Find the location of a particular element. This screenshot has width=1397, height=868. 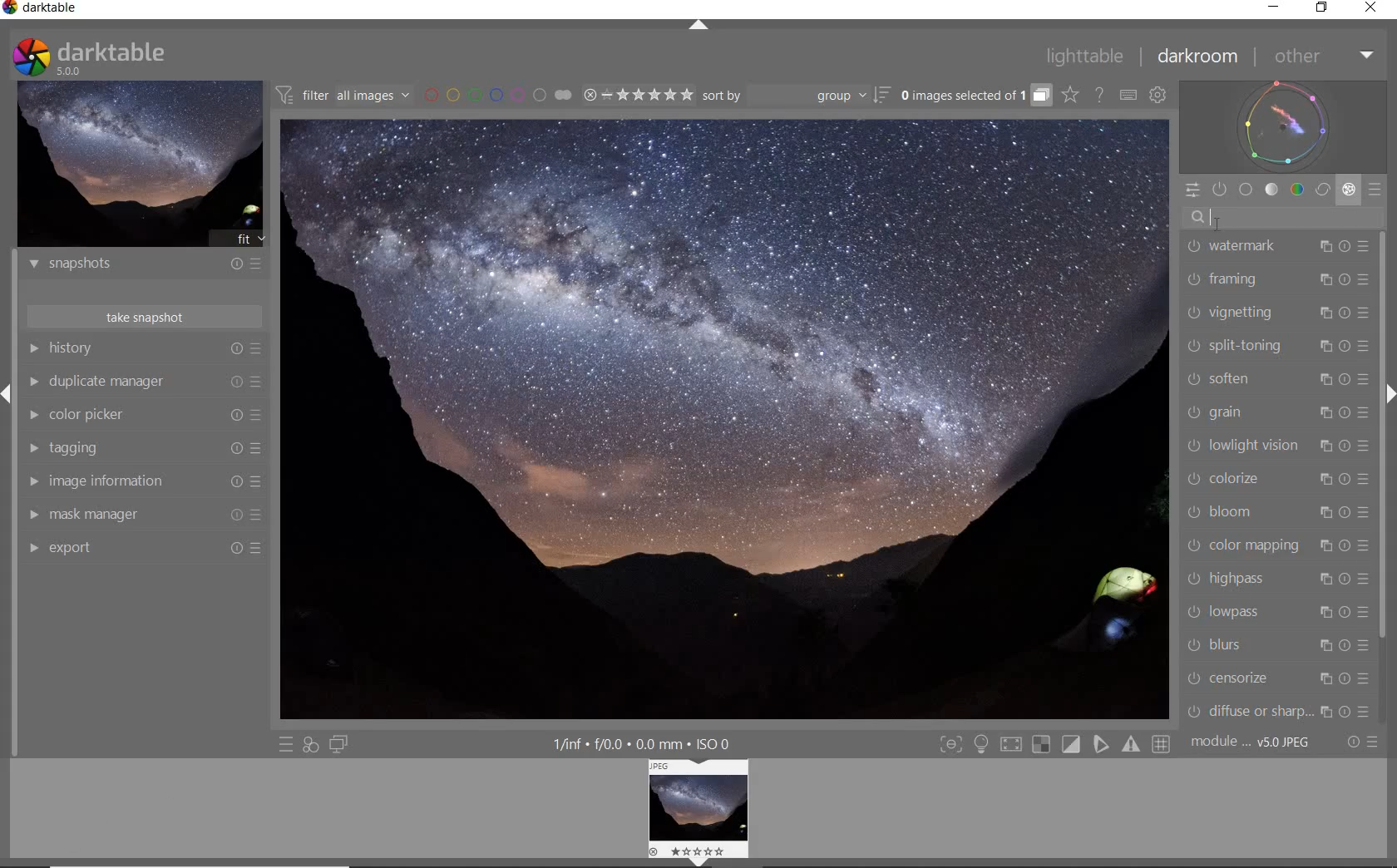

IMAGE PREVIEW is located at coordinates (141, 165).